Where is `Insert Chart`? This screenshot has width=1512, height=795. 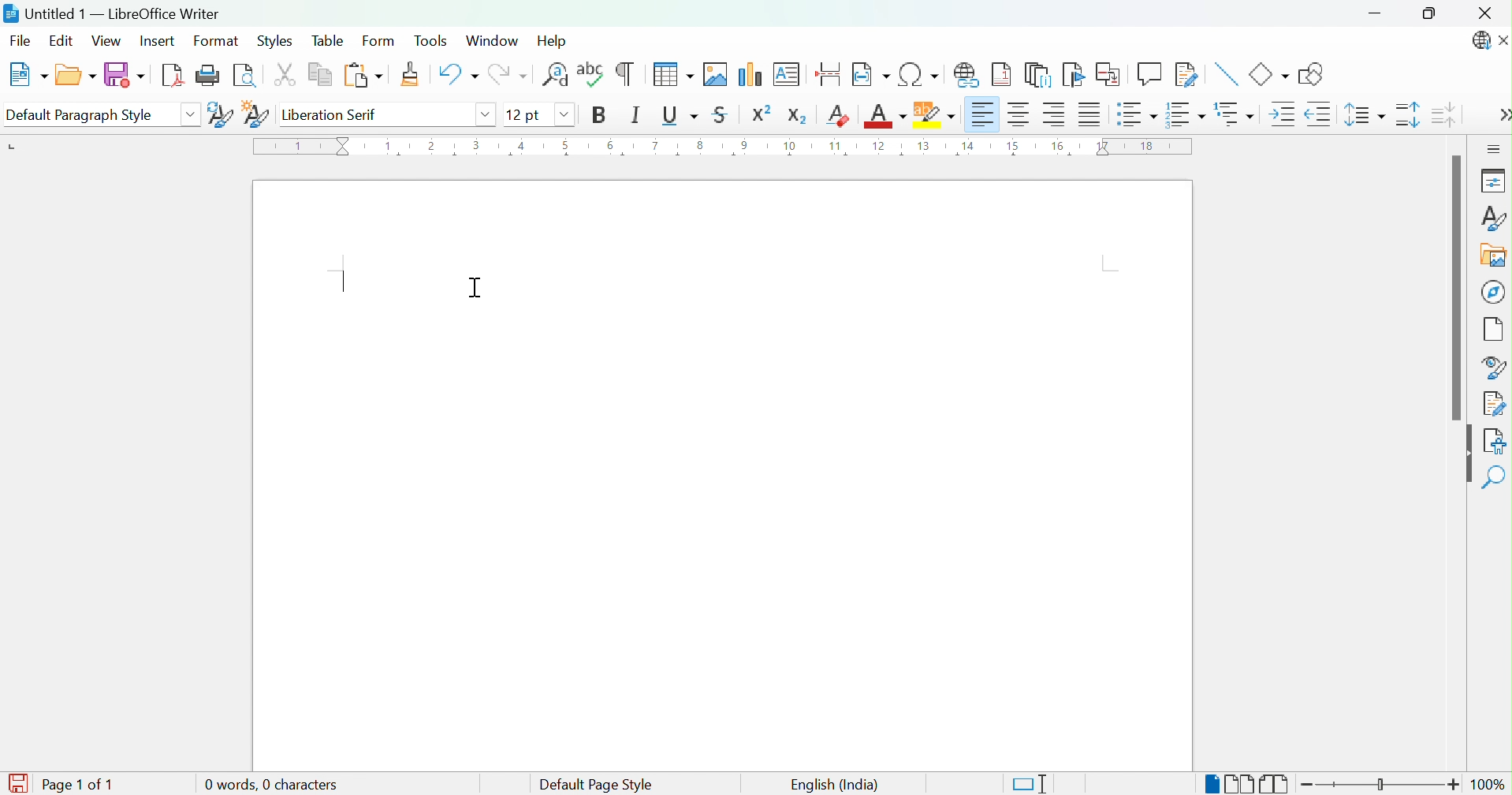
Insert Chart is located at coordinates (750, 73).